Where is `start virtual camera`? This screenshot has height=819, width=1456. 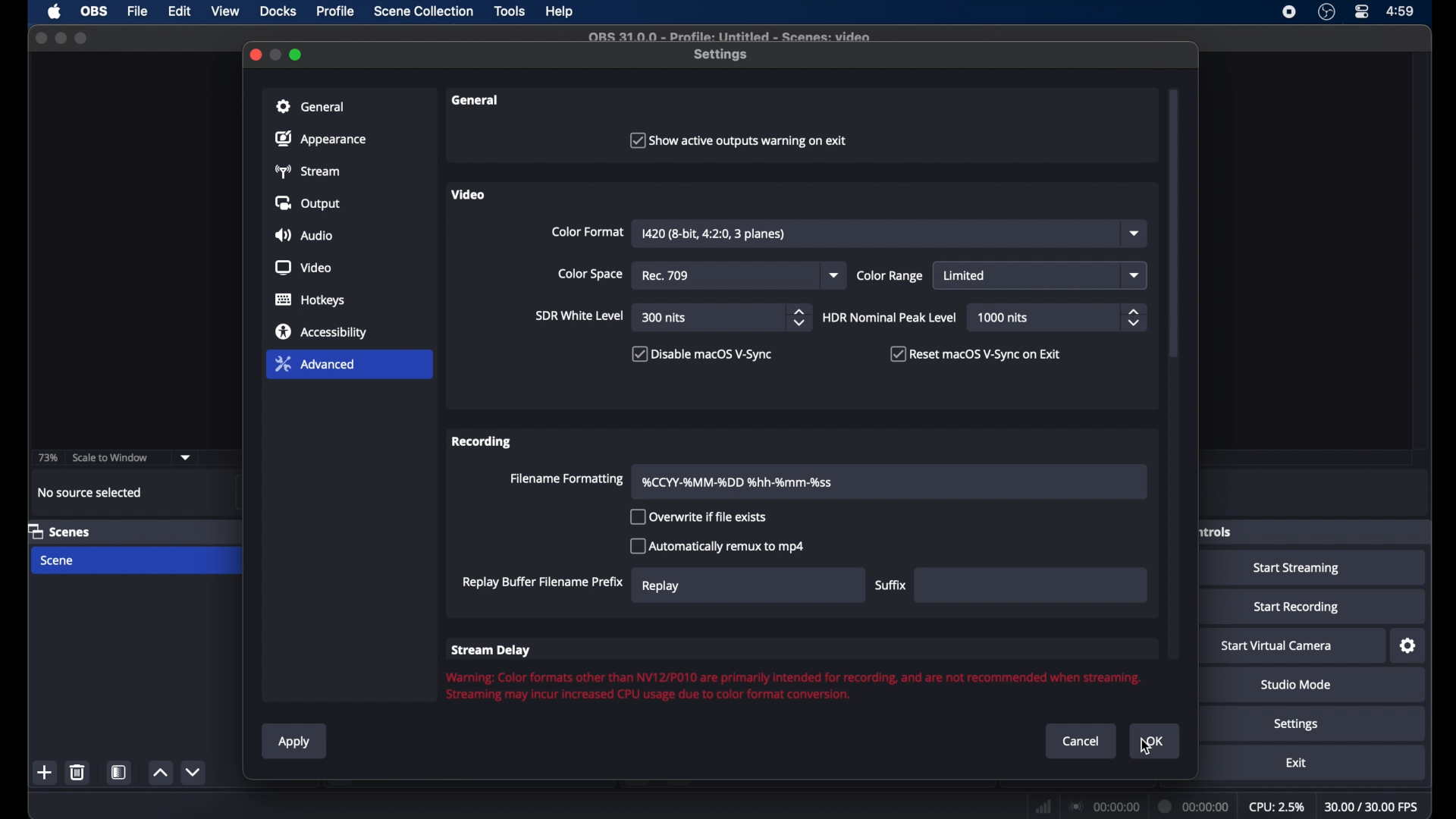
start virtual camera is located at coordinates (1278, 645).